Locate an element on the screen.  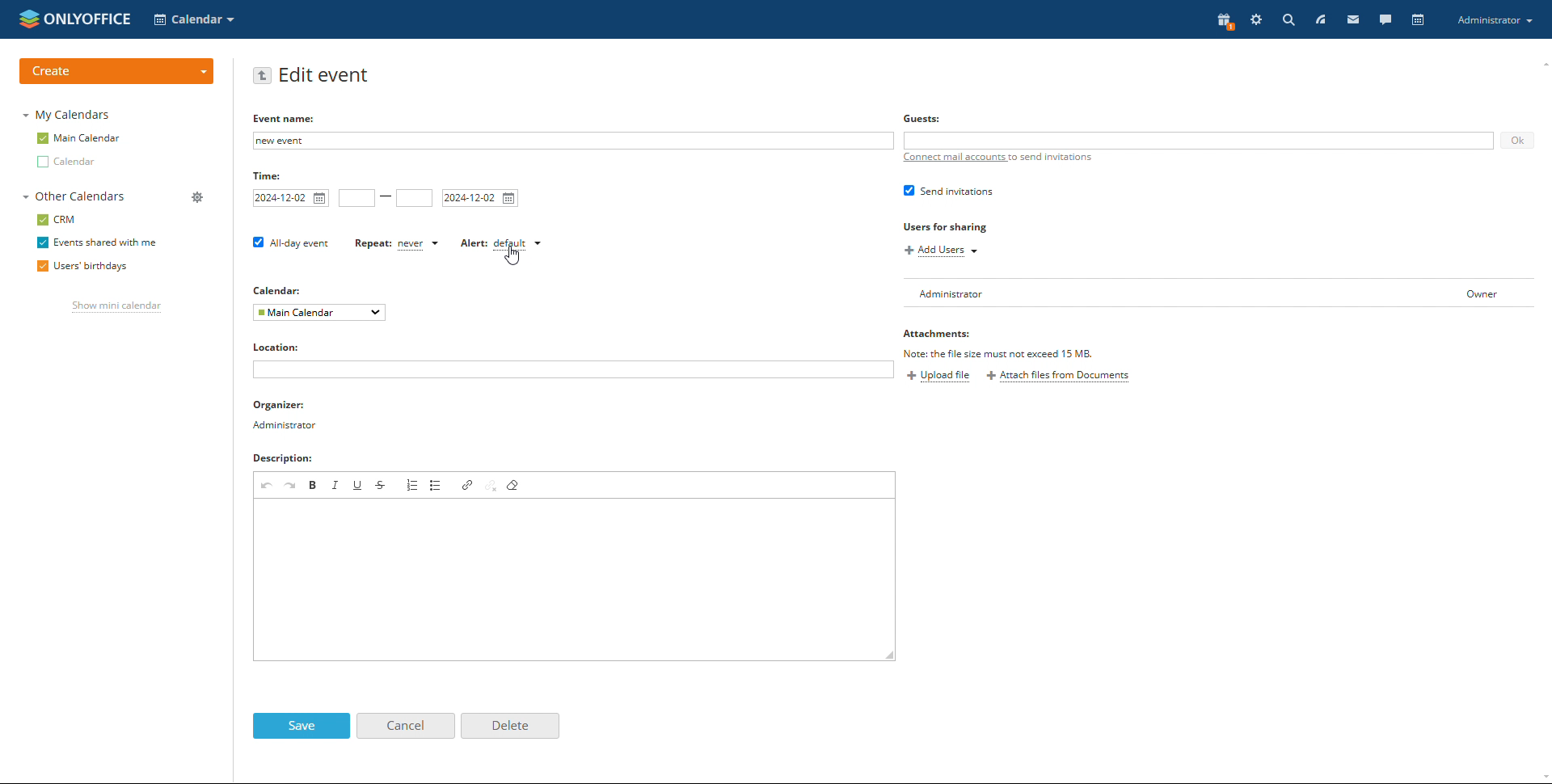
connect mail accounts is located at coordinates (997, 157).